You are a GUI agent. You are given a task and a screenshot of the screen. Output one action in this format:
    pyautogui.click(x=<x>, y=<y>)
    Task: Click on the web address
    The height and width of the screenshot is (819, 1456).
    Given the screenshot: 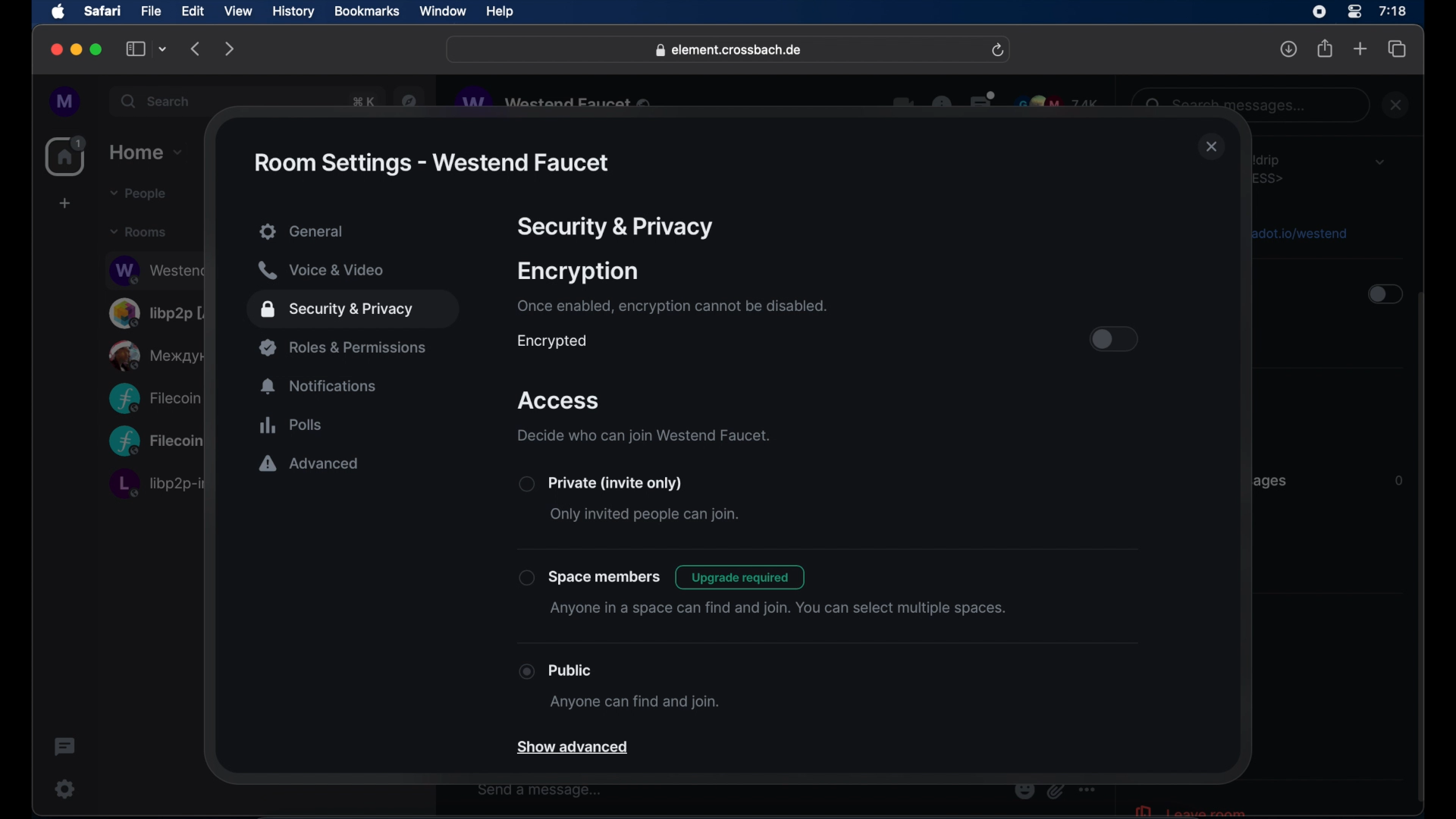 What is the action you would take?
    pyautogui.click(x=730, y=51)
    